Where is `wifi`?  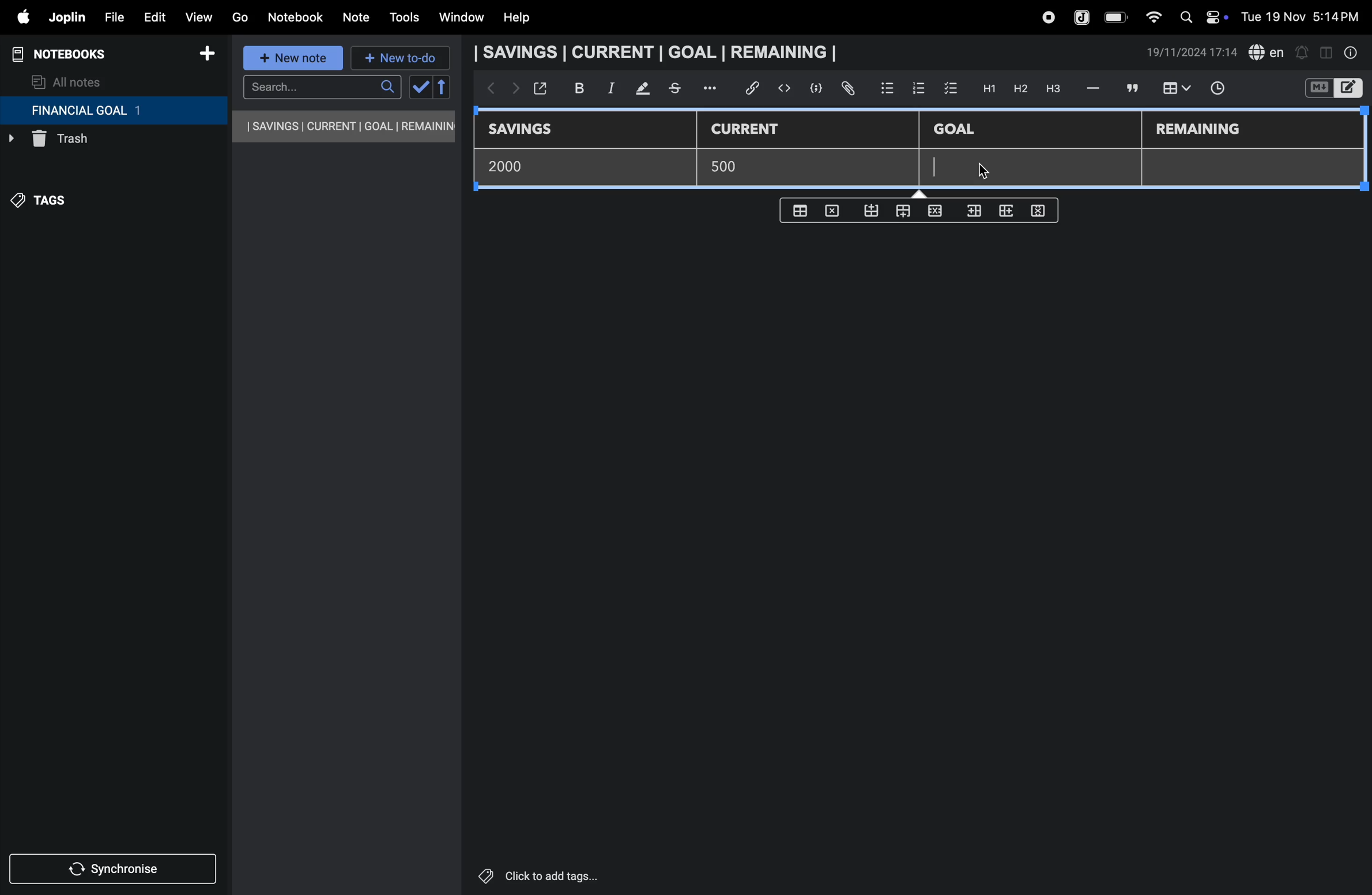
wifi is located at coordinates (1150, 17).